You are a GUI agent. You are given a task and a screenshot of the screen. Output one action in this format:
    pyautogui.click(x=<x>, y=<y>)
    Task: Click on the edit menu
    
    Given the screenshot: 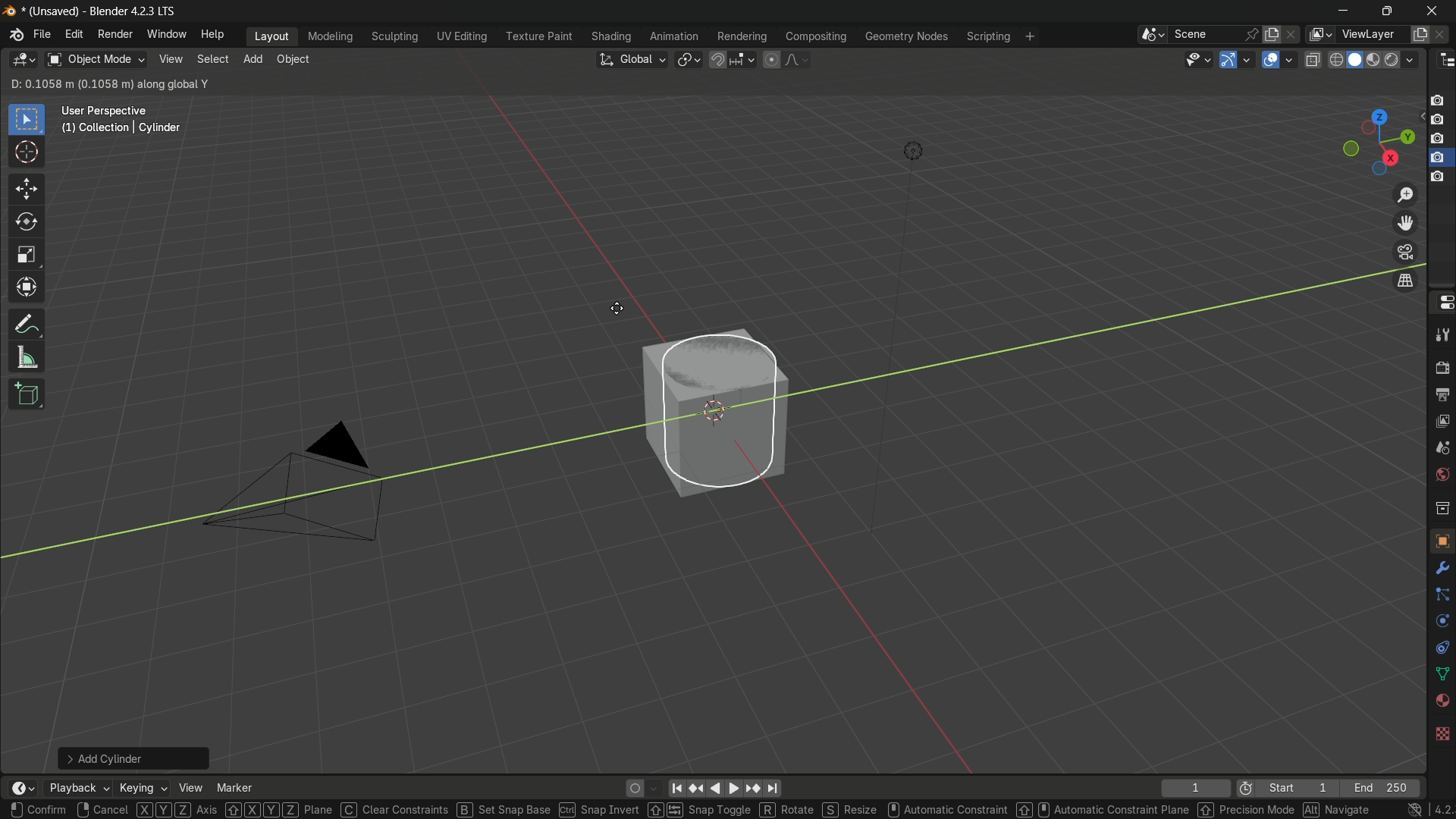 What is the action you would take?
    pyautogui.click(x=74, y=35)
    